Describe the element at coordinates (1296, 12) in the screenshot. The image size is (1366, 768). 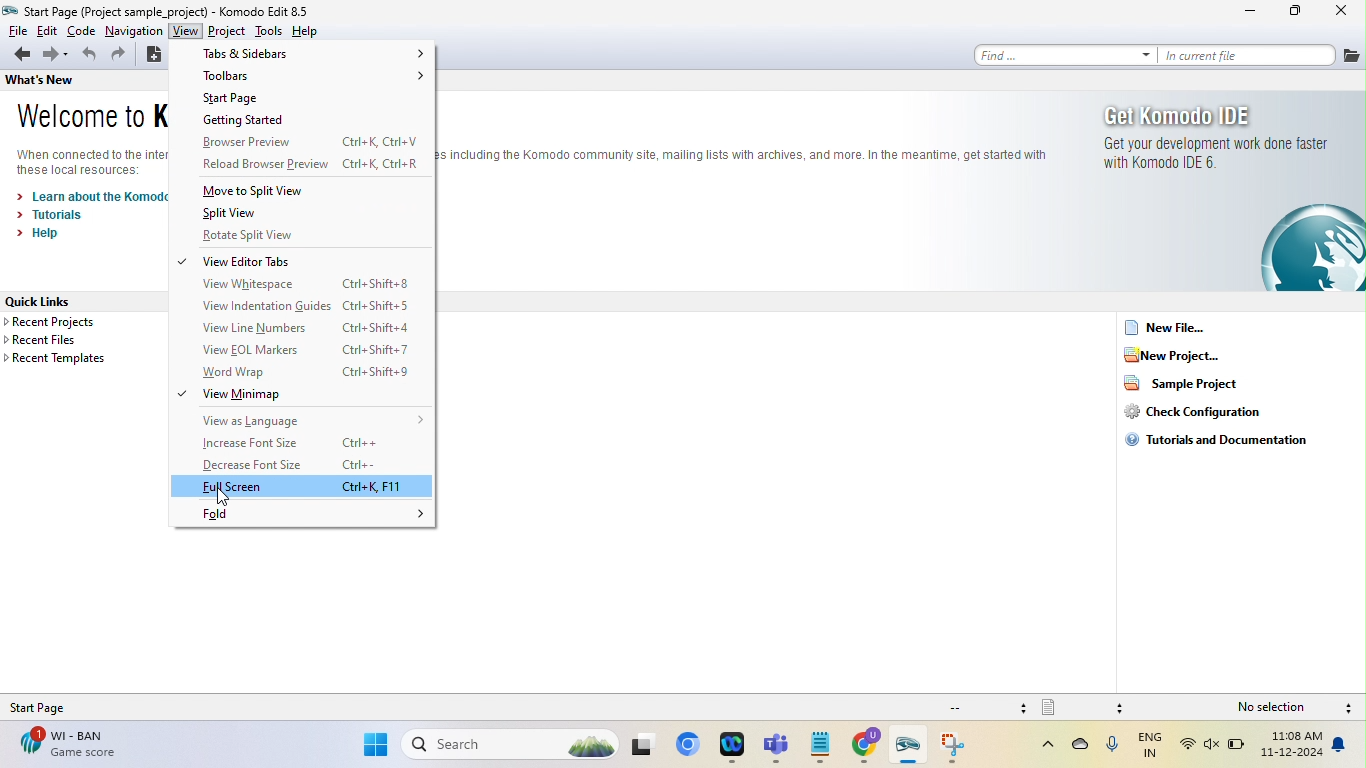
I see `maximize` at that location.